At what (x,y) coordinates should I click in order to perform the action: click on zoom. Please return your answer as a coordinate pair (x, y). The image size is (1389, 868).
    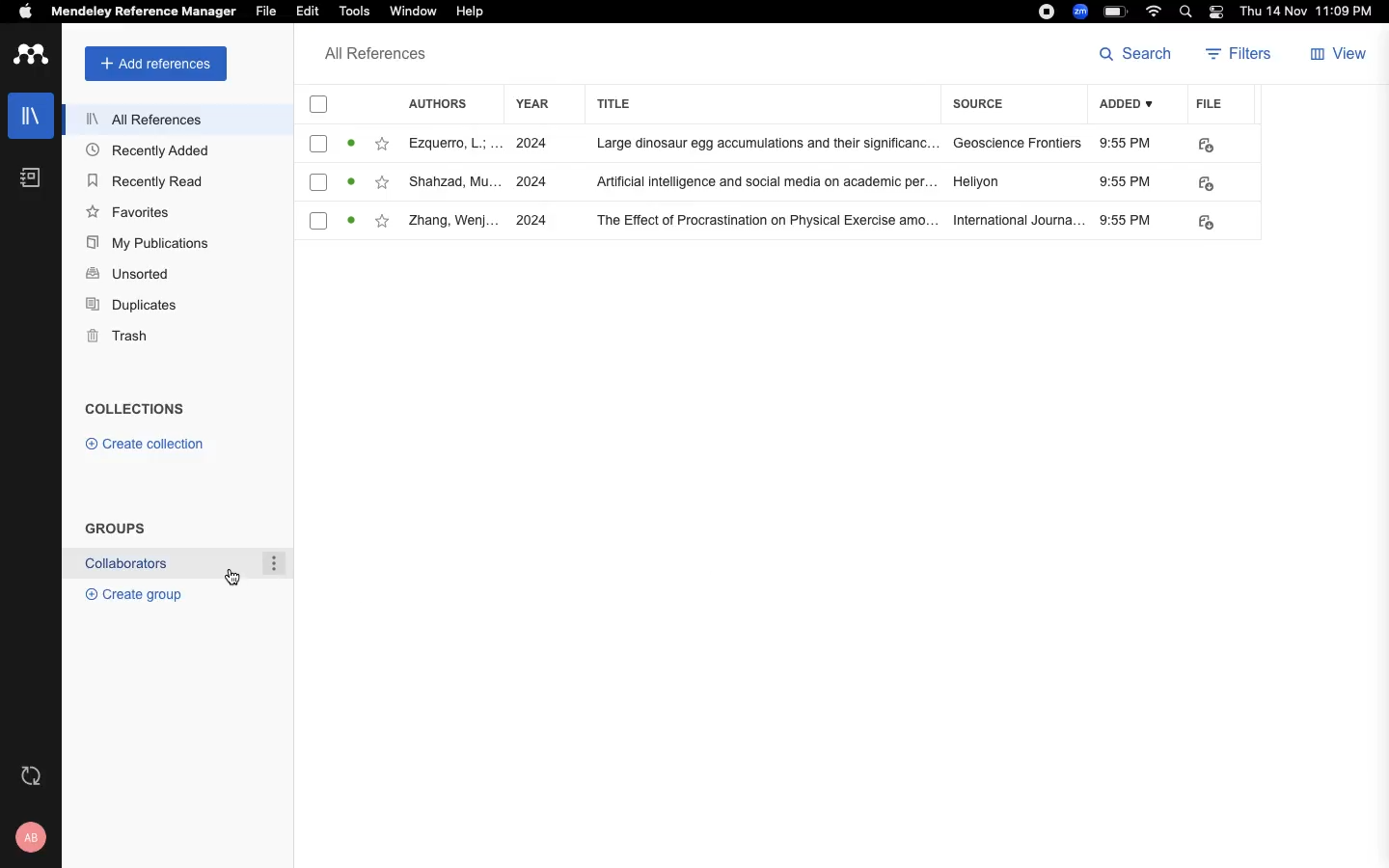
    Looking at the image, I should click on (1083, 12).